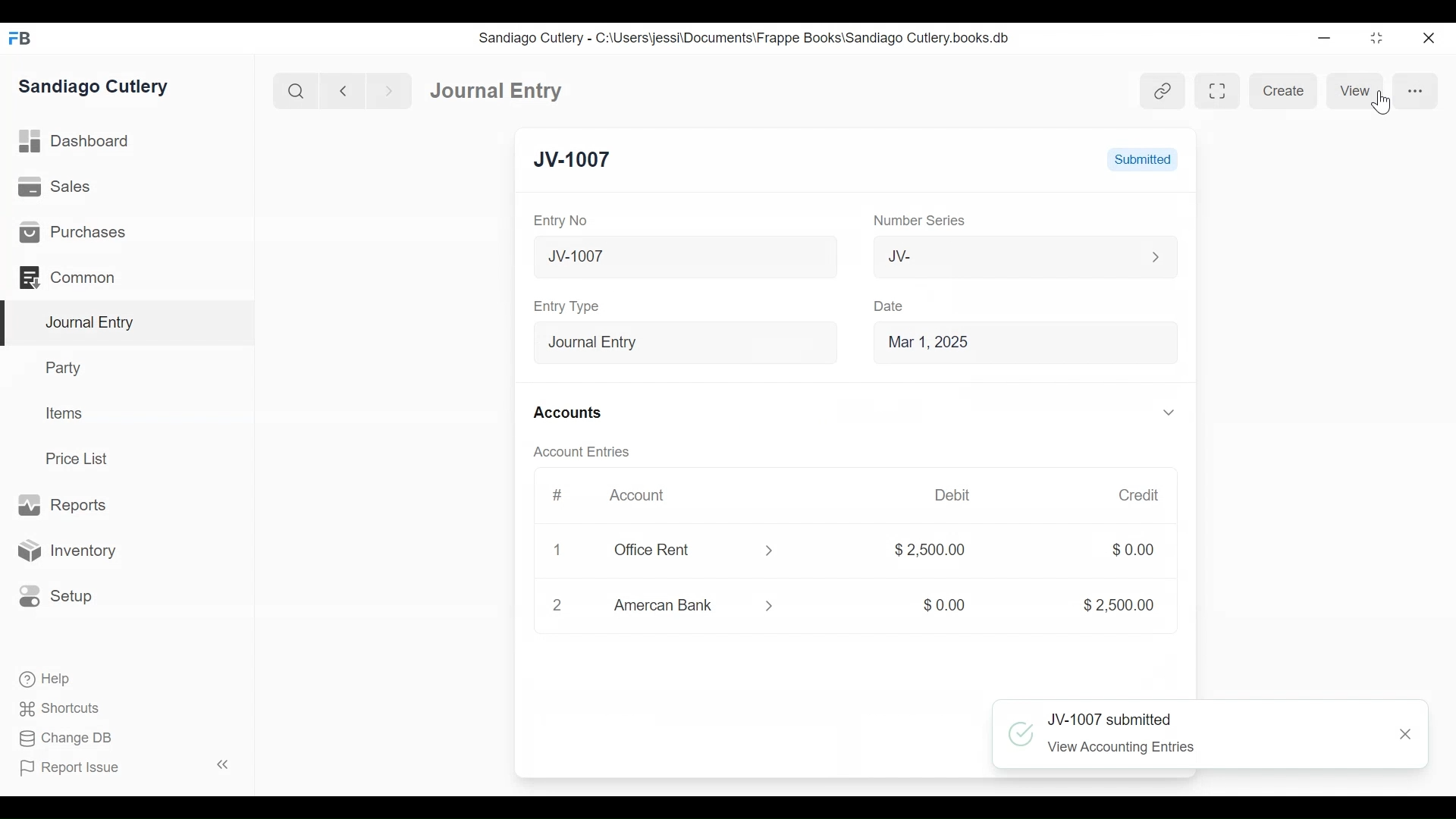  What do you see at coordinates (1099, 604) in the screenshot?
I see `$2,500.00` at bounding box center [1099, 604].